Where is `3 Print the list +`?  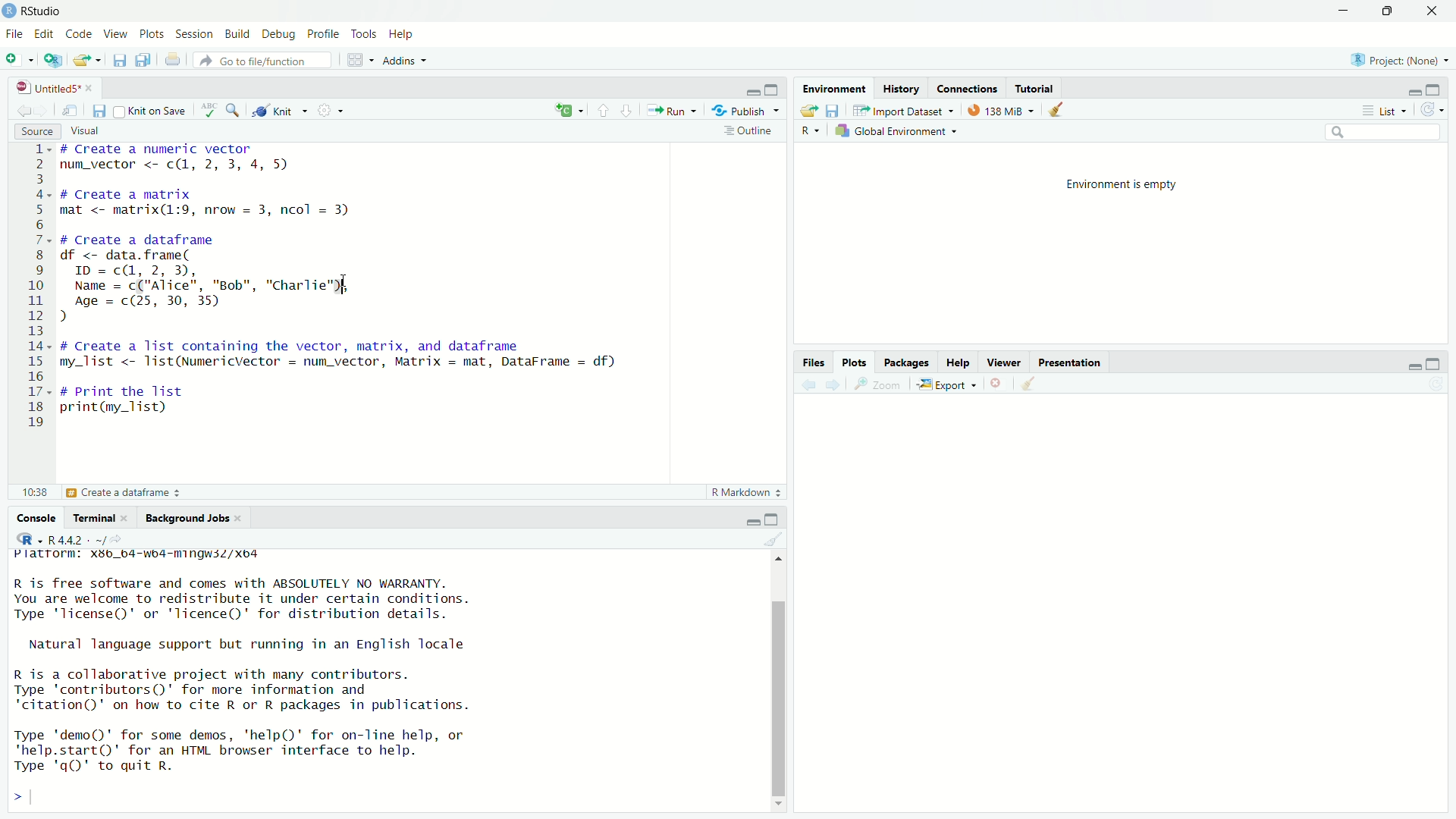
3 Print the list + is located at coordinates (121, 493).